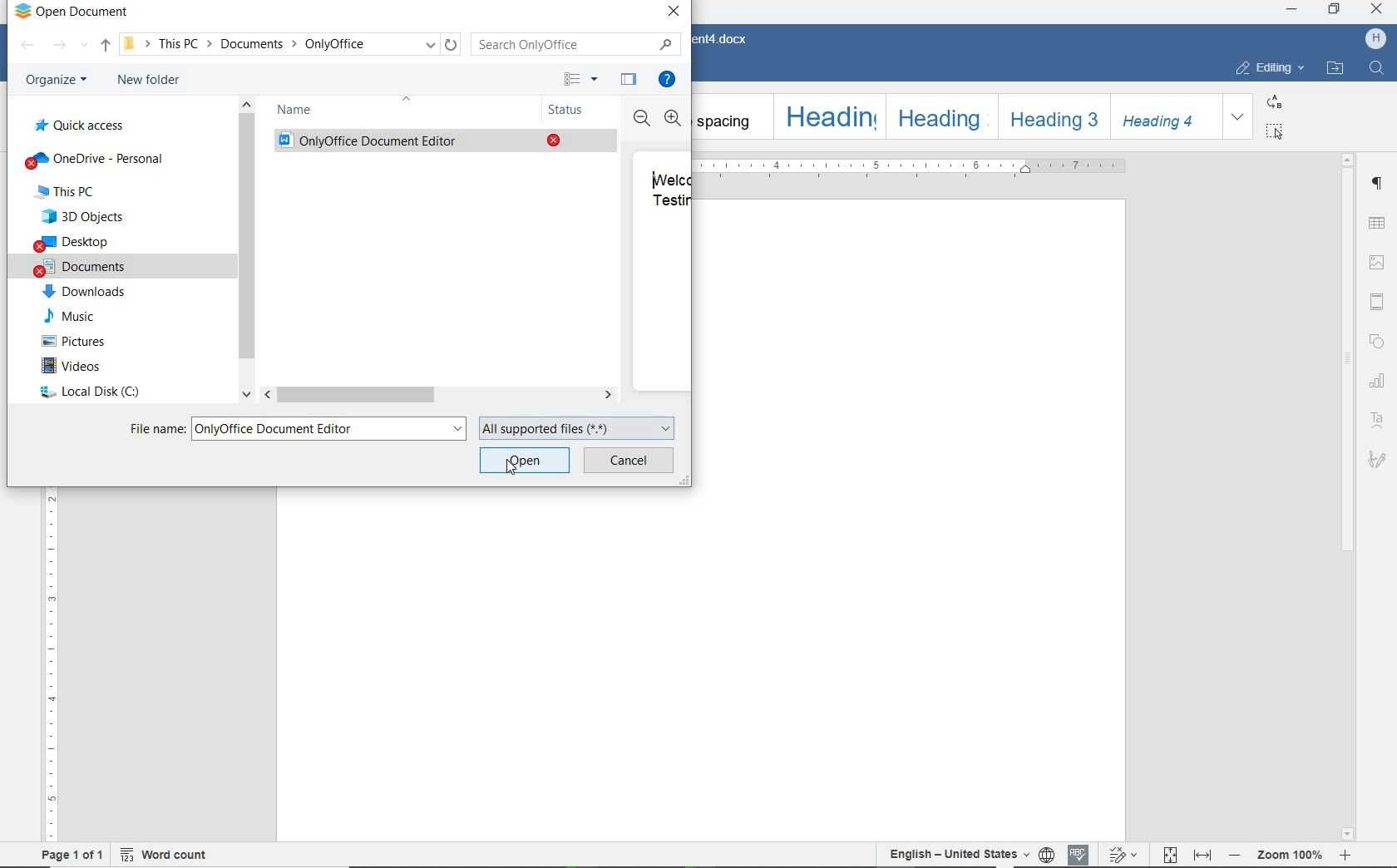 The width and height of the screenshot is (1397, 868). What do you see at coordinates (101, 160) in the screenshot?
I see `OneDrive-personal` at bounding box center [101, 160].